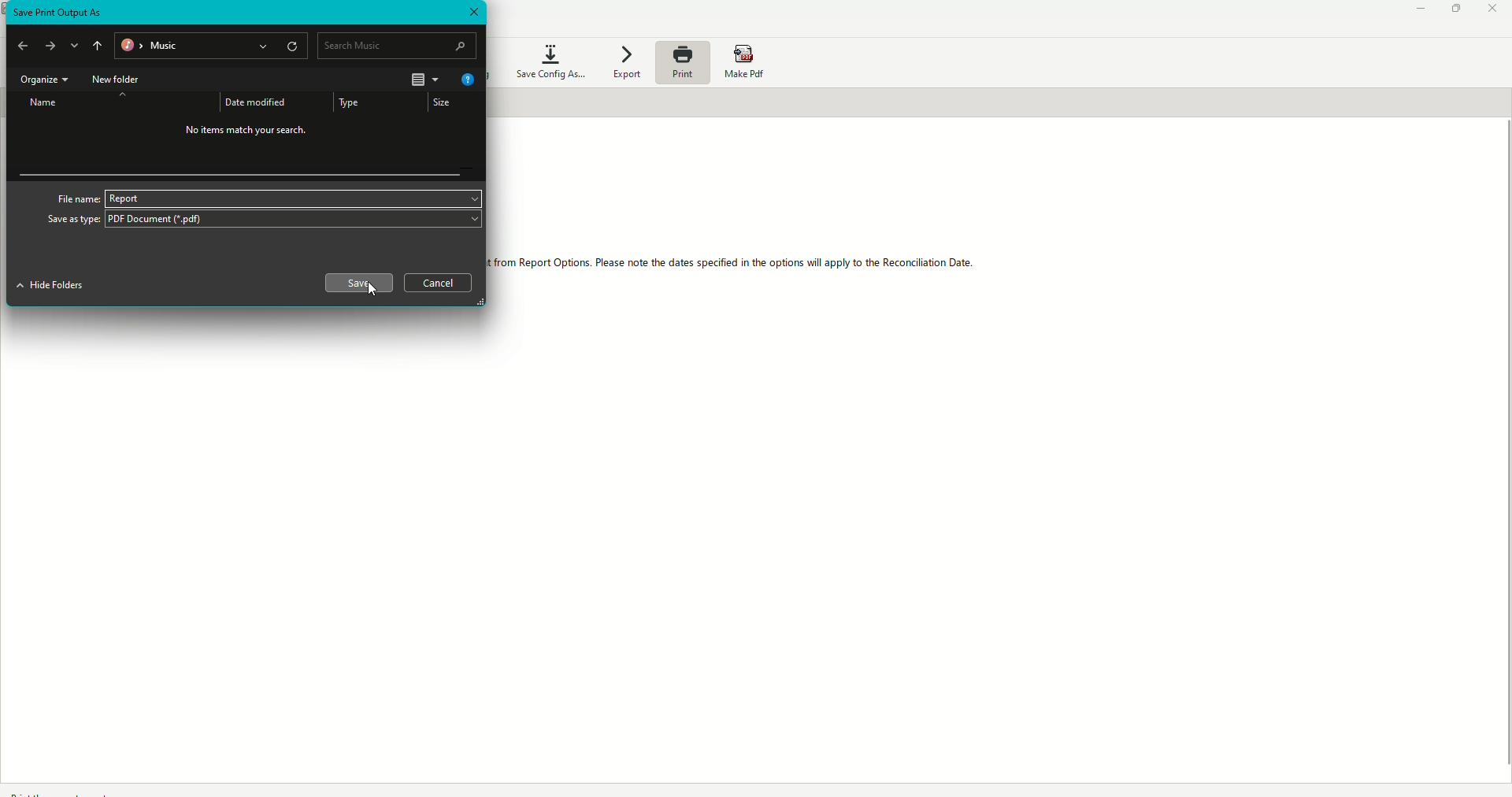 Image resolution: width=1512 pixels, height=797 pixels. What do you see at coordinates (473, 13) in the screenshot?
I see `Close` at bounding box center [473, 13].